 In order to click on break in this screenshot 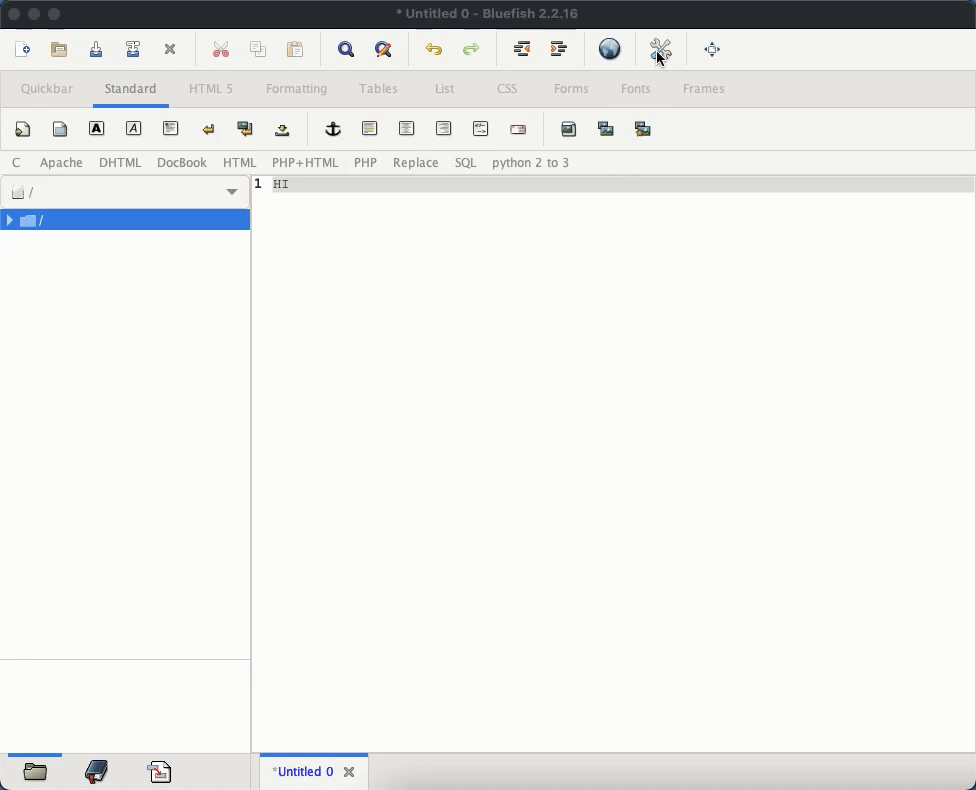, I will do `click(210, 128)`.